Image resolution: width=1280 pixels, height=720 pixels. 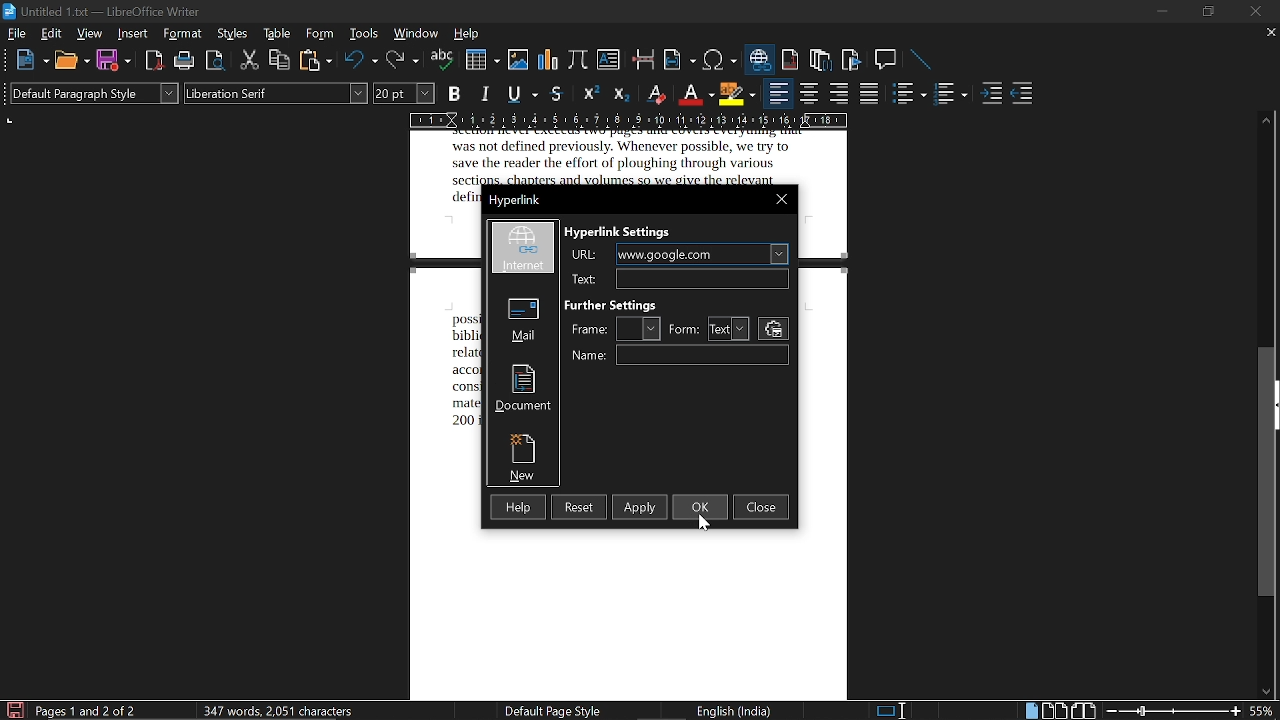 What do you see at coordinates (277, 94) in the screenshot?
I see `font style` at bounding box center [277, 94].